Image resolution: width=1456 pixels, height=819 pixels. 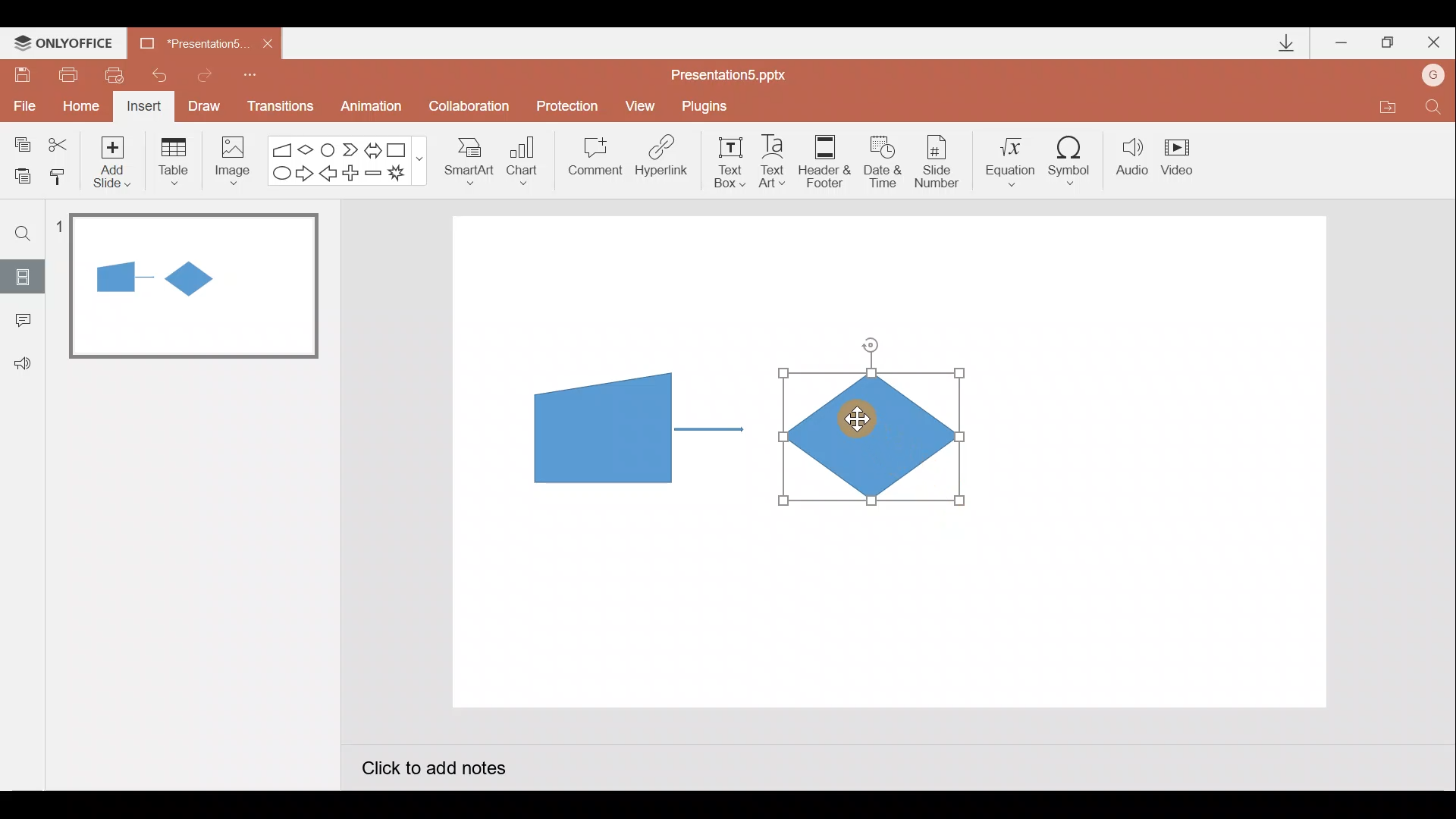 What do you see at coordinates (472, 108) in the screenshot?
I see `Collaboration` at bounding box center [472, 108].